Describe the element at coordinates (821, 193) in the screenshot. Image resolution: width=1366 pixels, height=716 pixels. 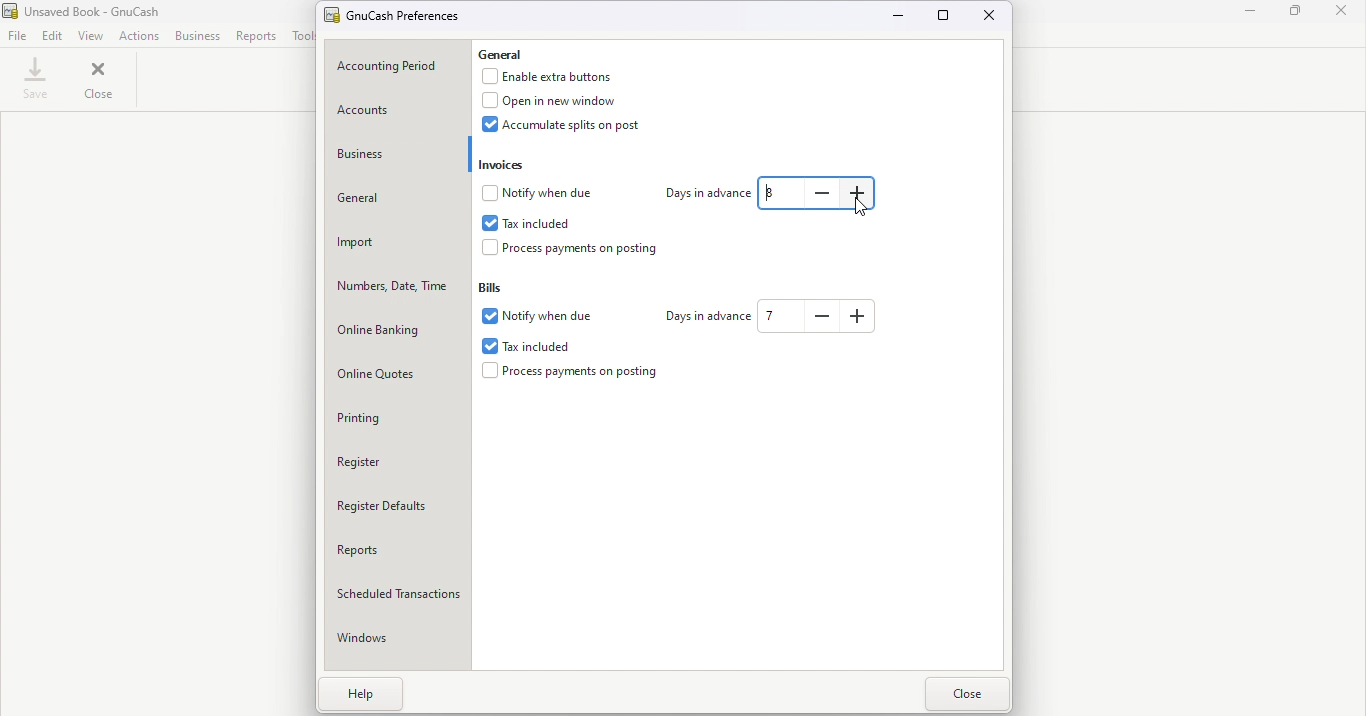
I see `how many days in the future to warn about invoices coming due` at that location.